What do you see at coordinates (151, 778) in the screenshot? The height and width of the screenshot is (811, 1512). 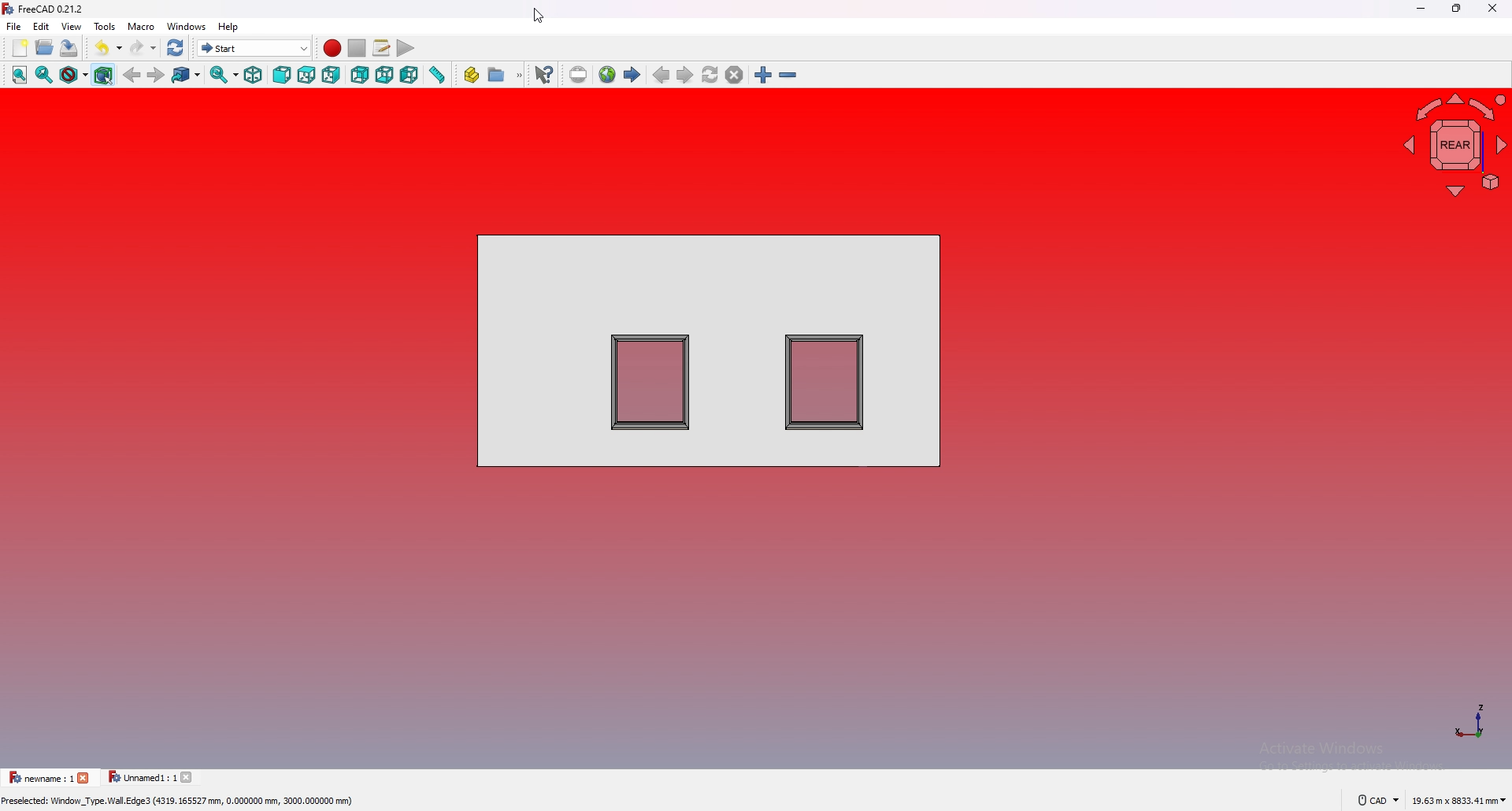 I see `tab 2` at bounding box center [151, 778].